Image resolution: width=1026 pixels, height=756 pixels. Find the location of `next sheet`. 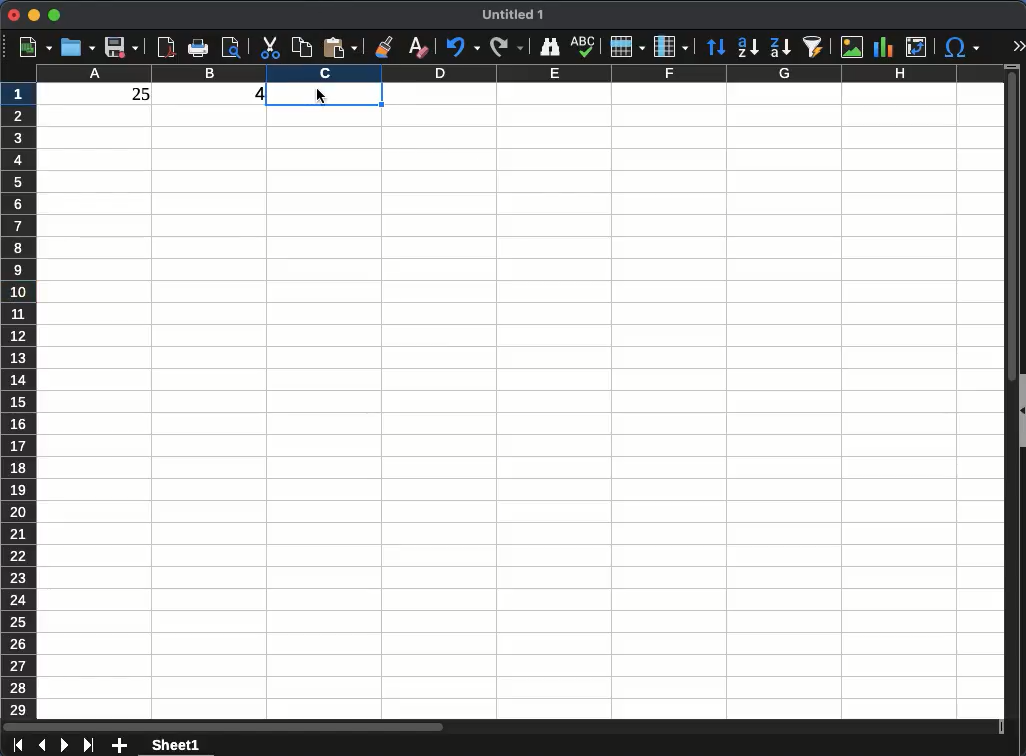

next sheet is located at coordinates (64, 745).